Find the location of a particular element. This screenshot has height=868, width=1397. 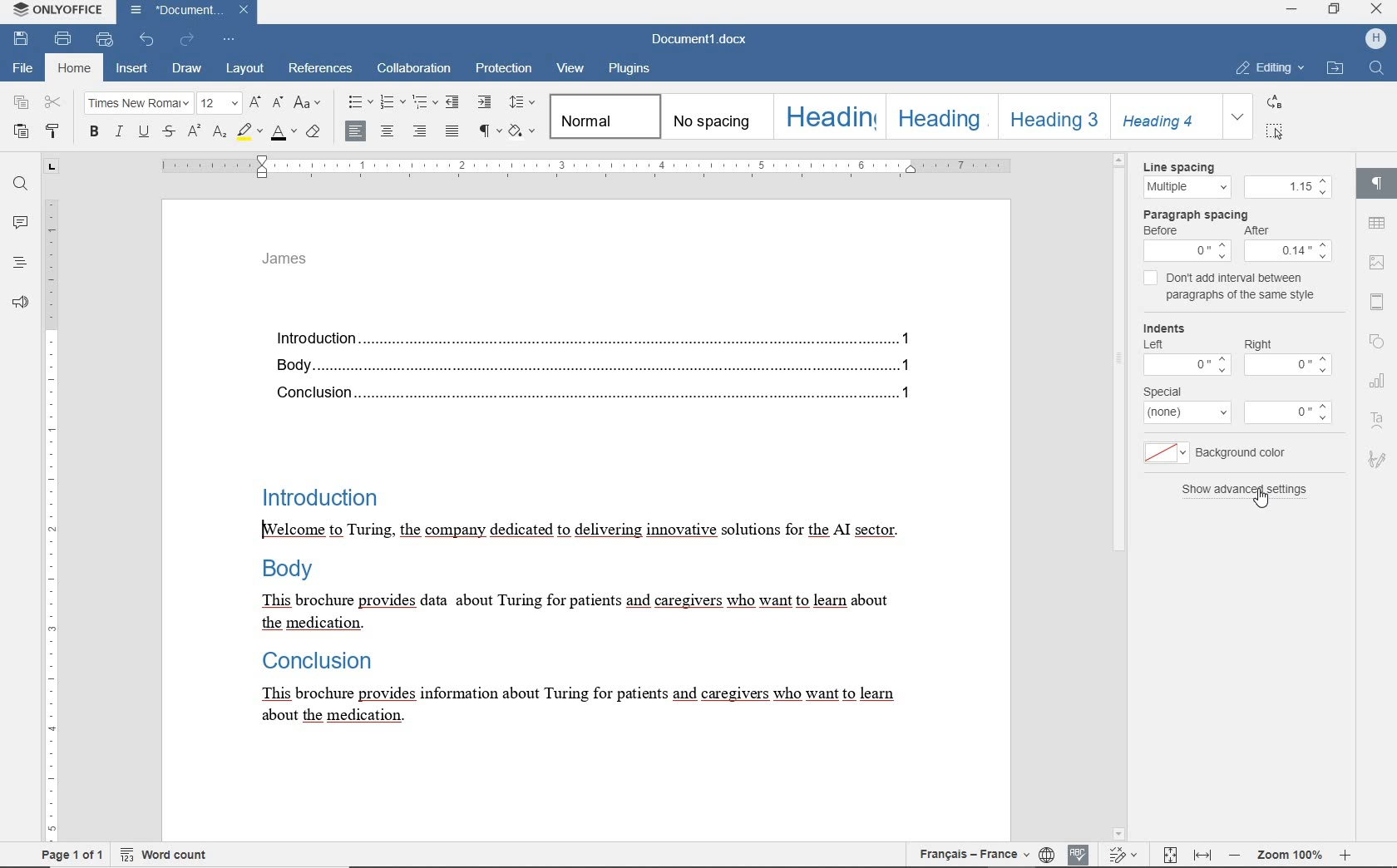

comments is located at coordinates (20, 224).